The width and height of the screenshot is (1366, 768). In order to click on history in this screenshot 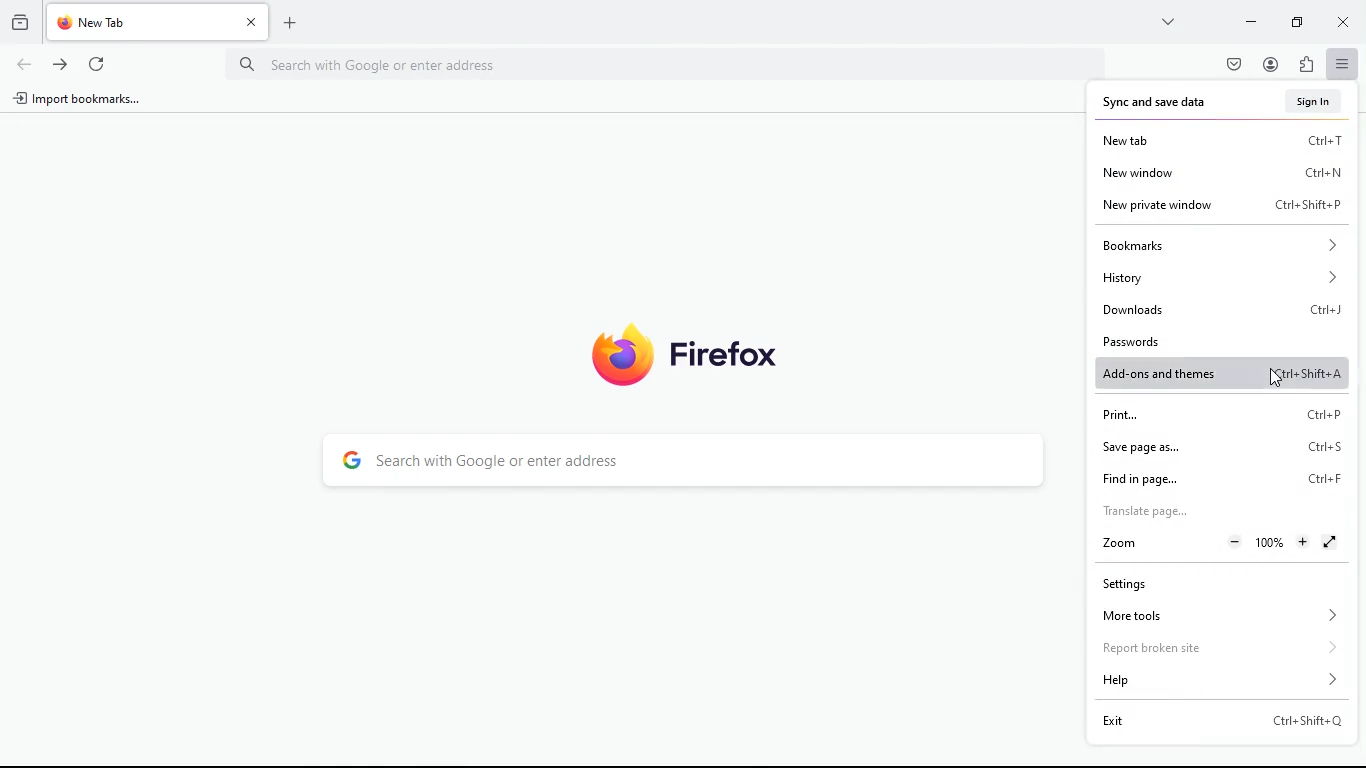, I will do `click(20, 25)`.